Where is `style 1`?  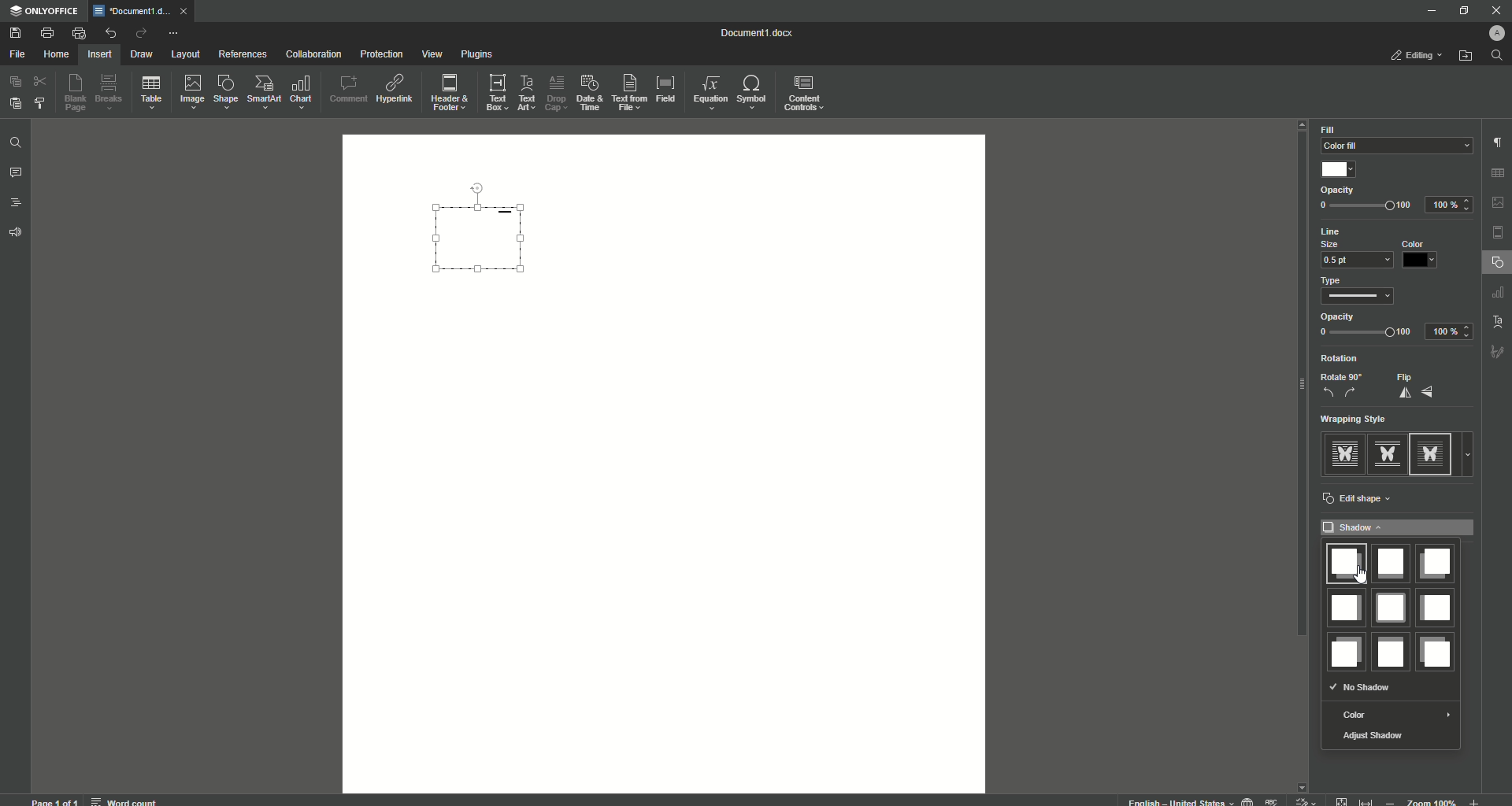
style 1 is located at coordinates (1343, 453).